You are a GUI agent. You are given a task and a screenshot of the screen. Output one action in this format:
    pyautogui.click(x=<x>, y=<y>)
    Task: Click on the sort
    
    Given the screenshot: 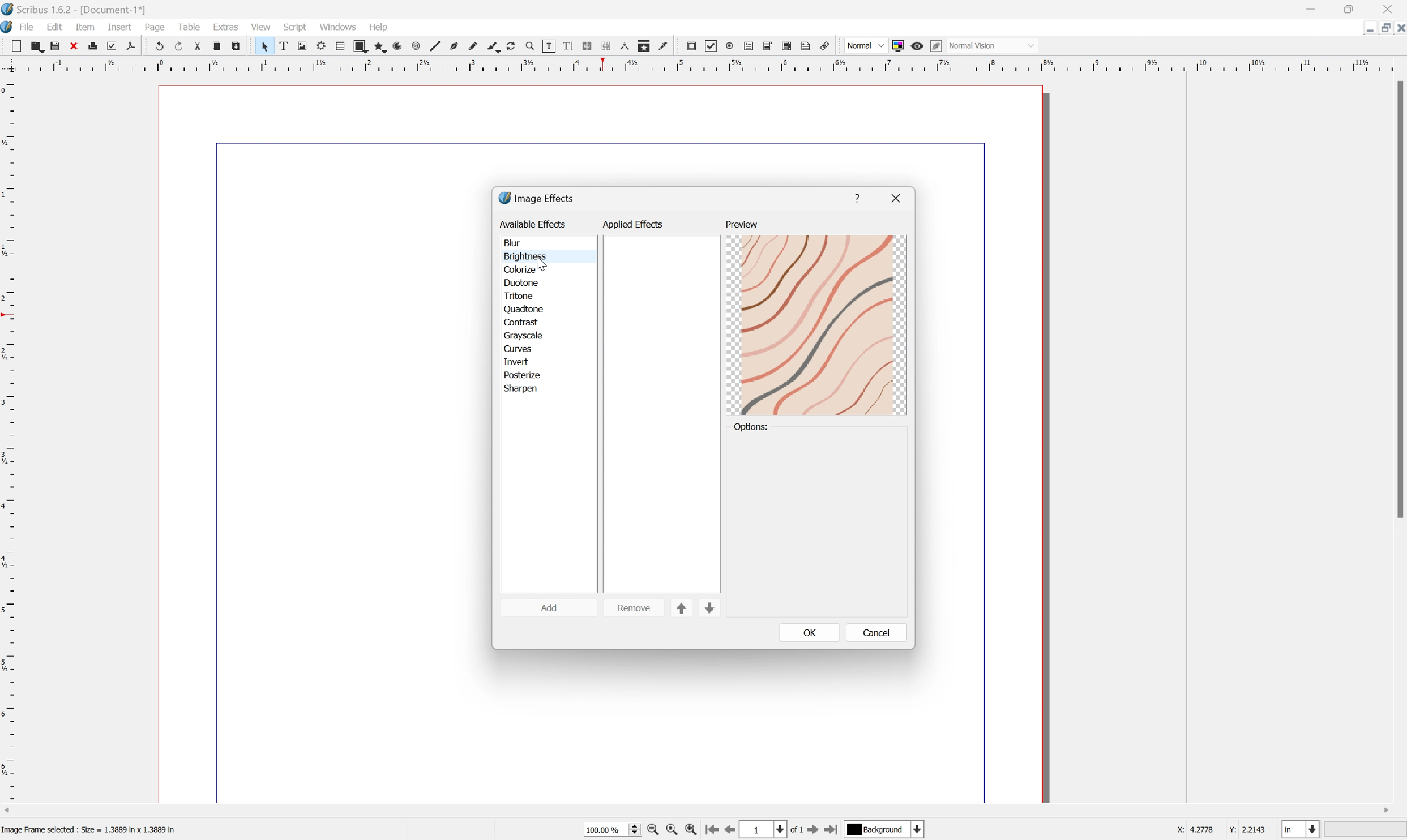 What is the action you would take?
    pyautogui.click(x=698, y=608)
    